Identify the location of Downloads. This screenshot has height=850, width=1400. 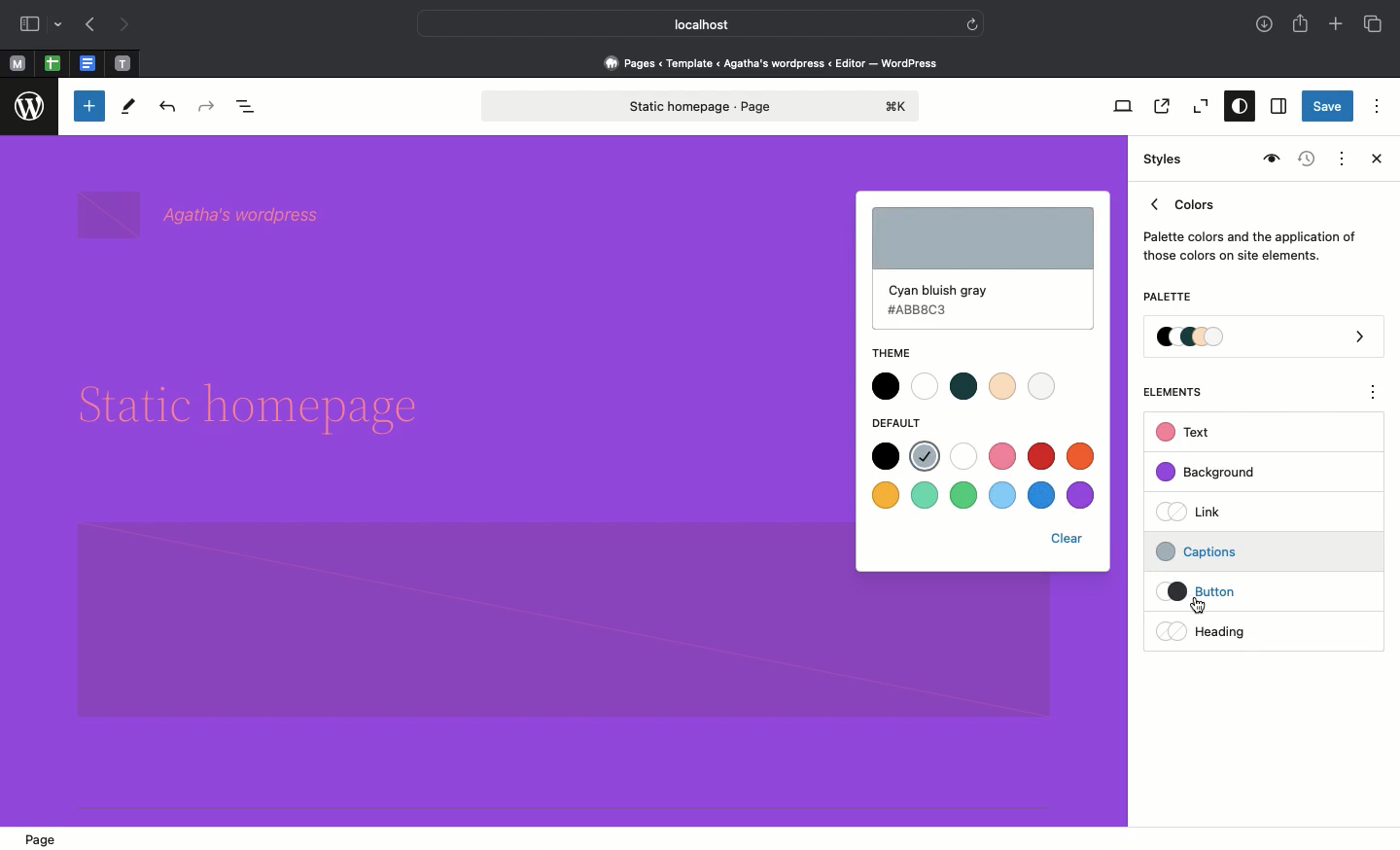
(1266, 26).